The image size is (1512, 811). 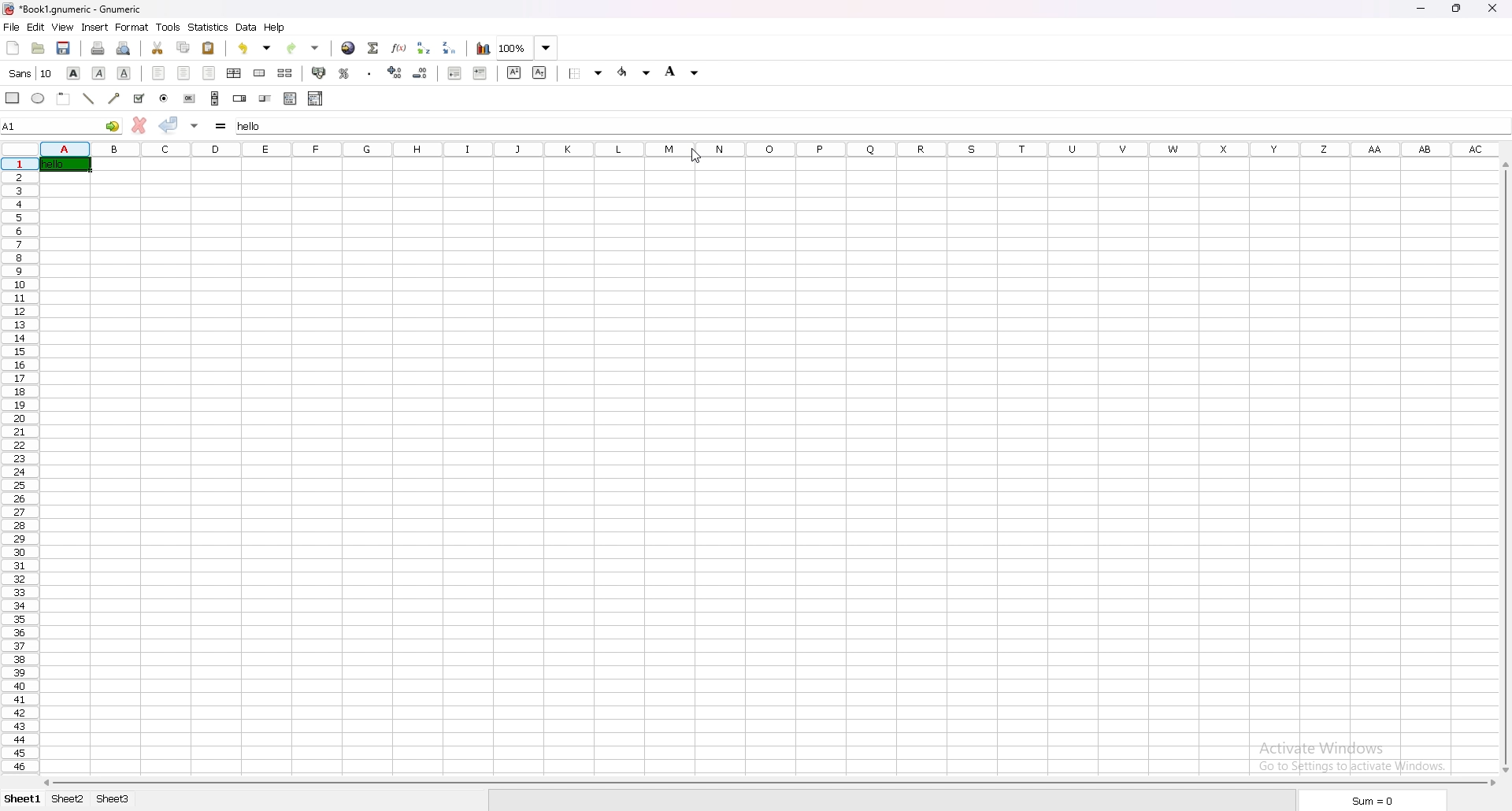 What do you see at coordinates (184, 46) in the screenshot?
I see `copy` at bounding box center [184, 46].